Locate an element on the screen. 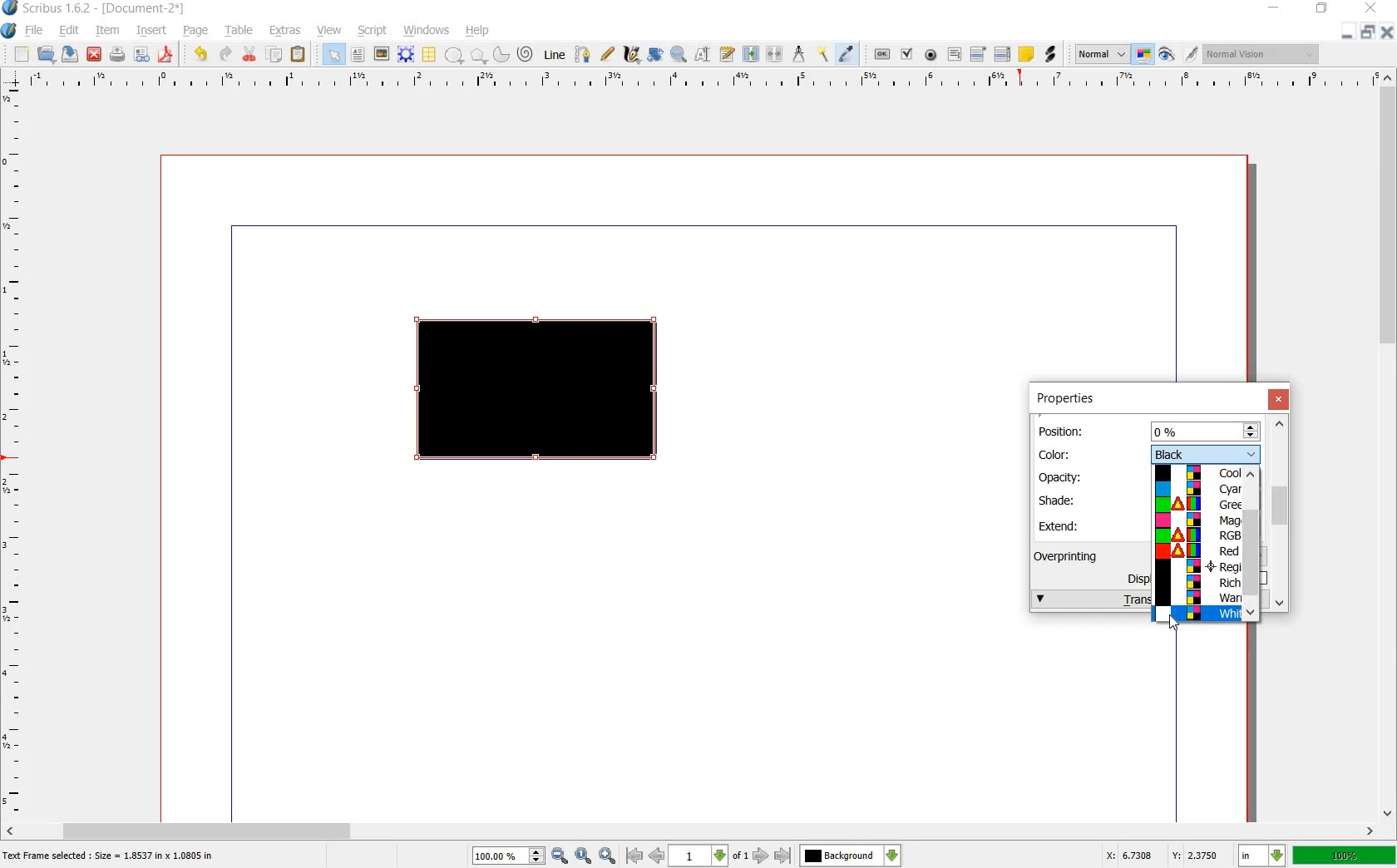  help is located at coordinates (478, 31).